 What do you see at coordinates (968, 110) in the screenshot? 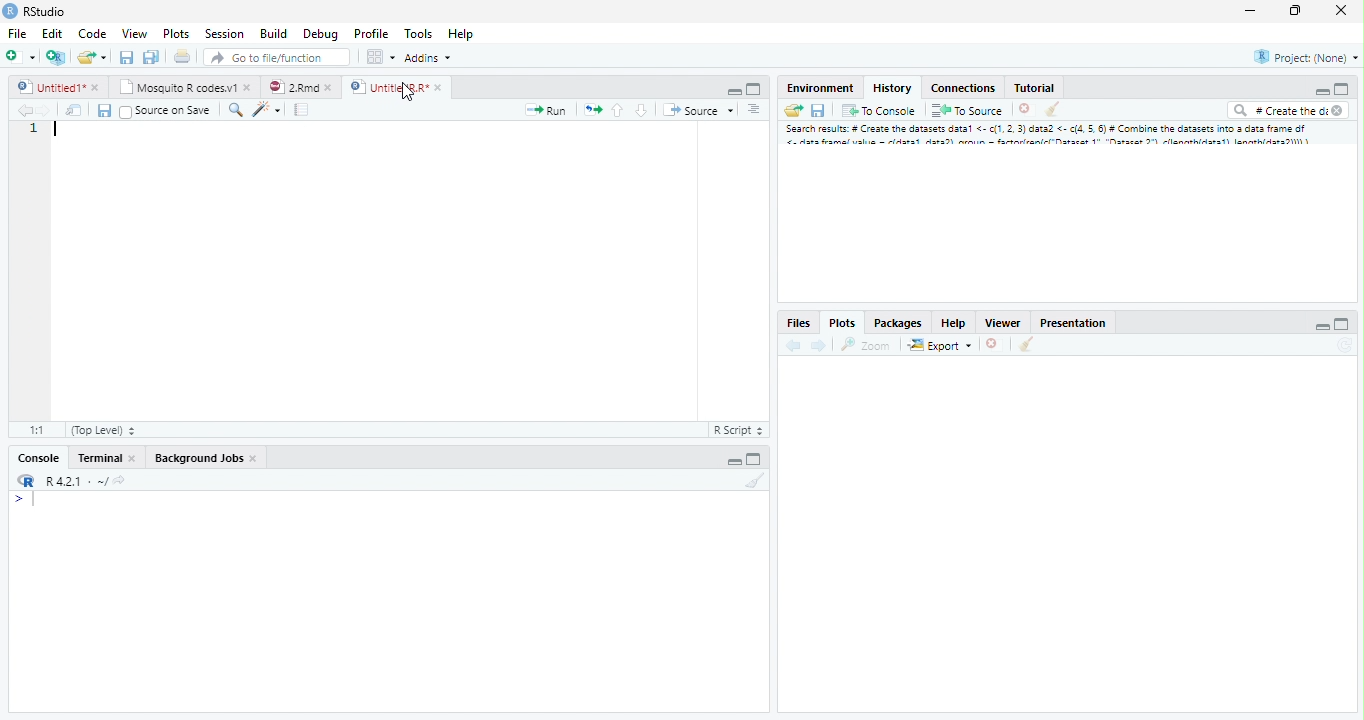
I see `To Source` at bounding box center [968, 110].